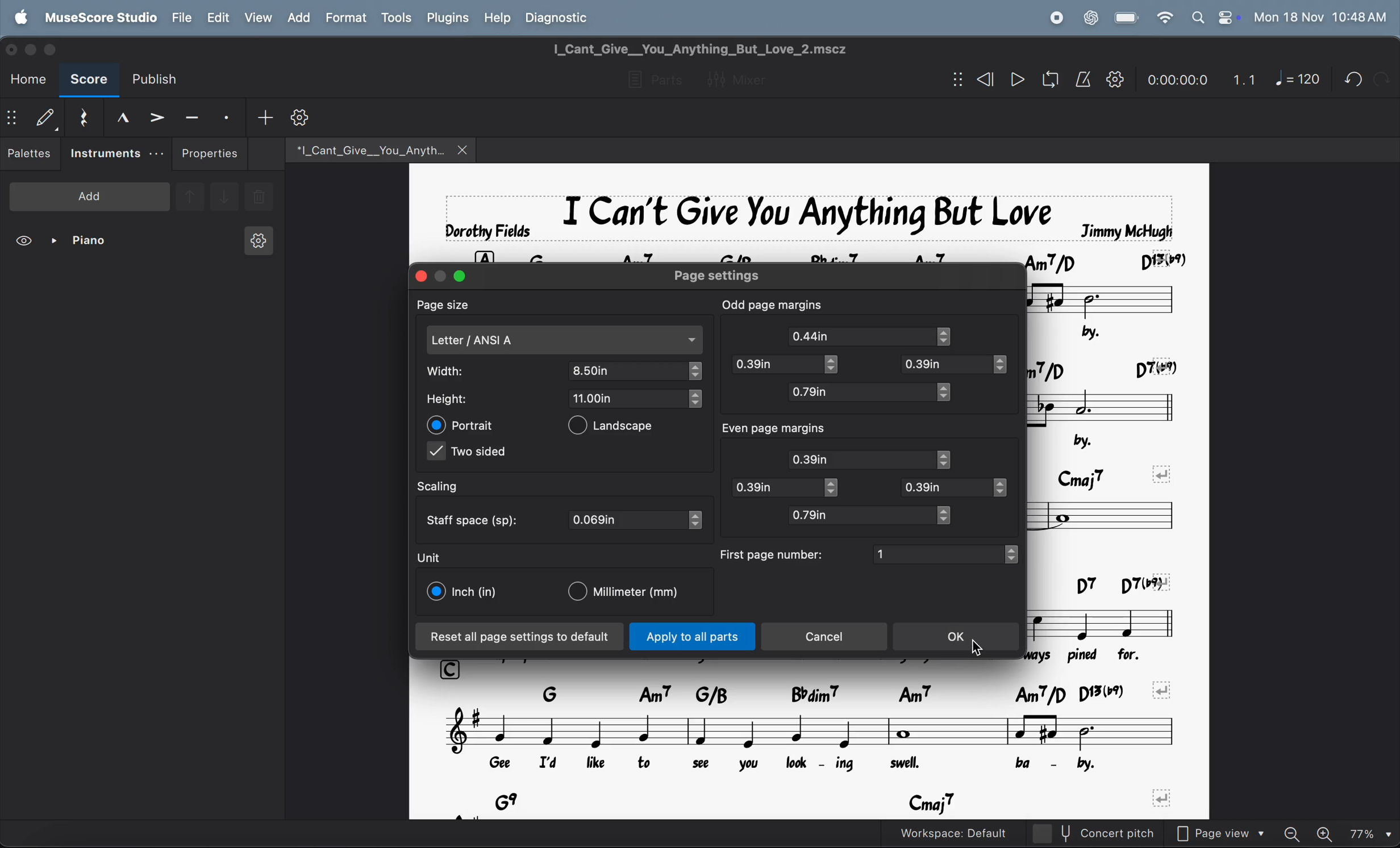 The image size is (1400, 848). What do you see at coordinates (693, 638) in the screenshot?
I see `apply to all parts` at bounding box center [693, 638].